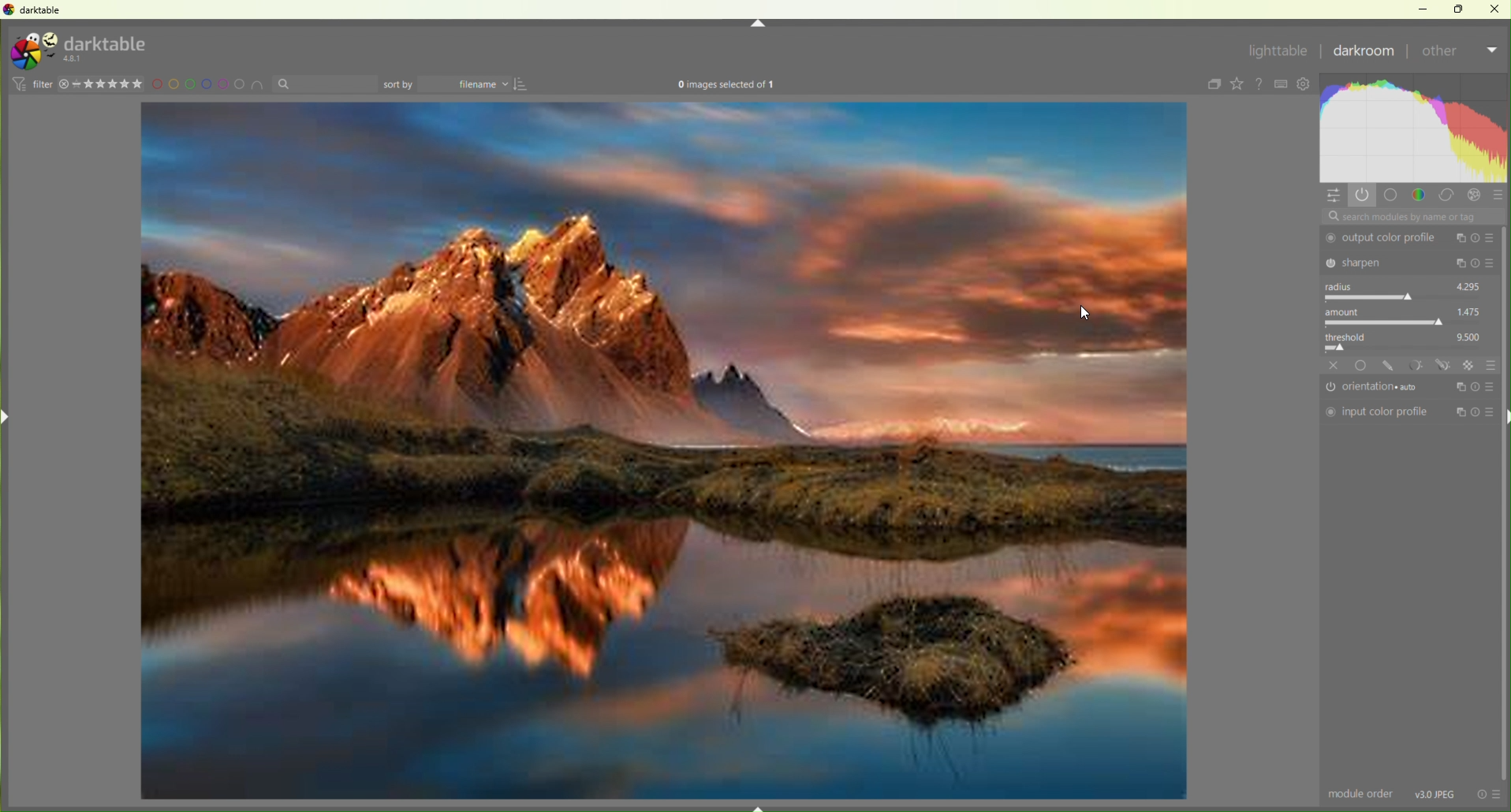  Describe the element at coordinates (1390, 366) in the screenshot. I see `draw` at that location.